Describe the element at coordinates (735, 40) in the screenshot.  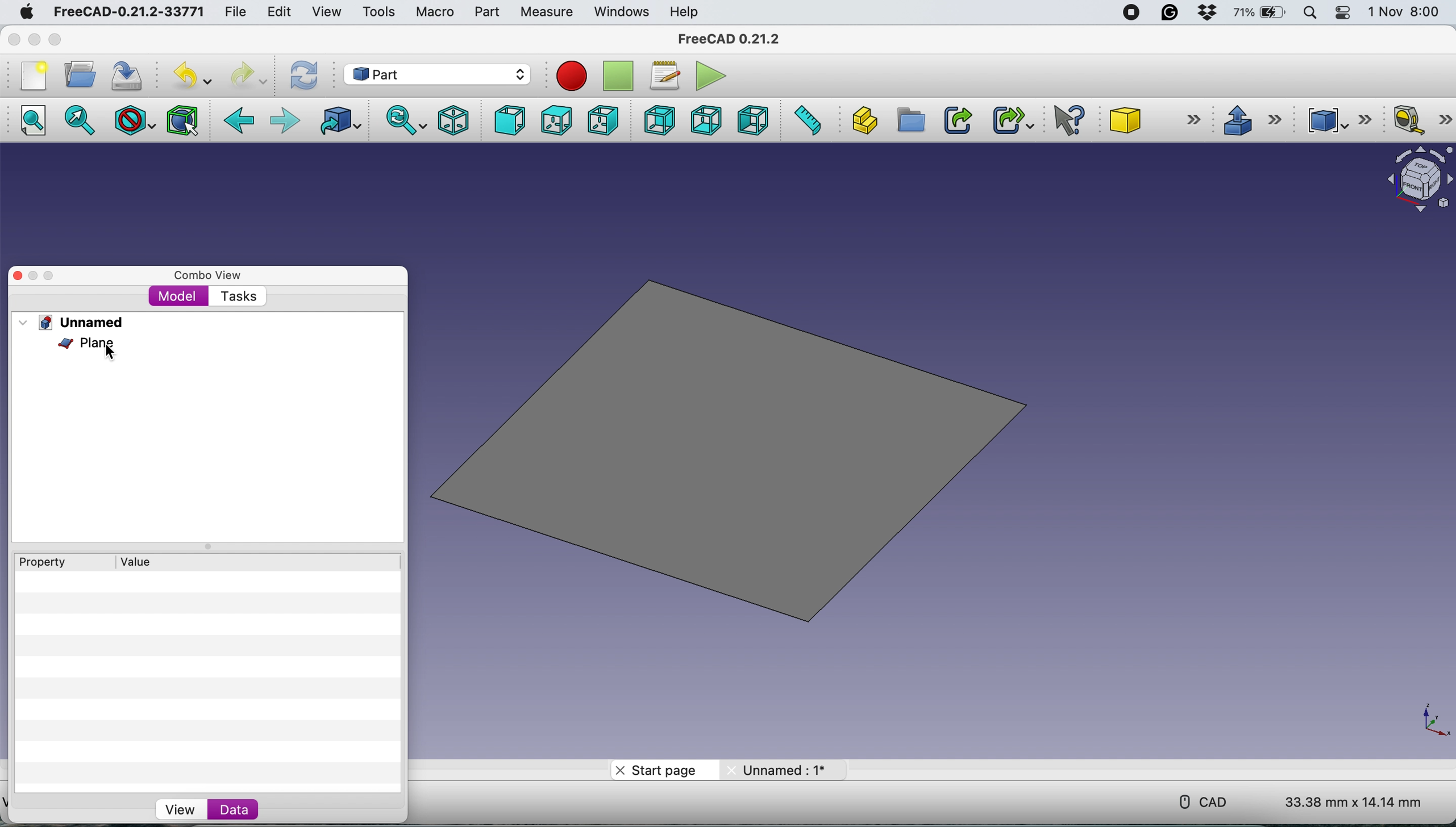
I see `FreeCAD 0.21.2` at that location.